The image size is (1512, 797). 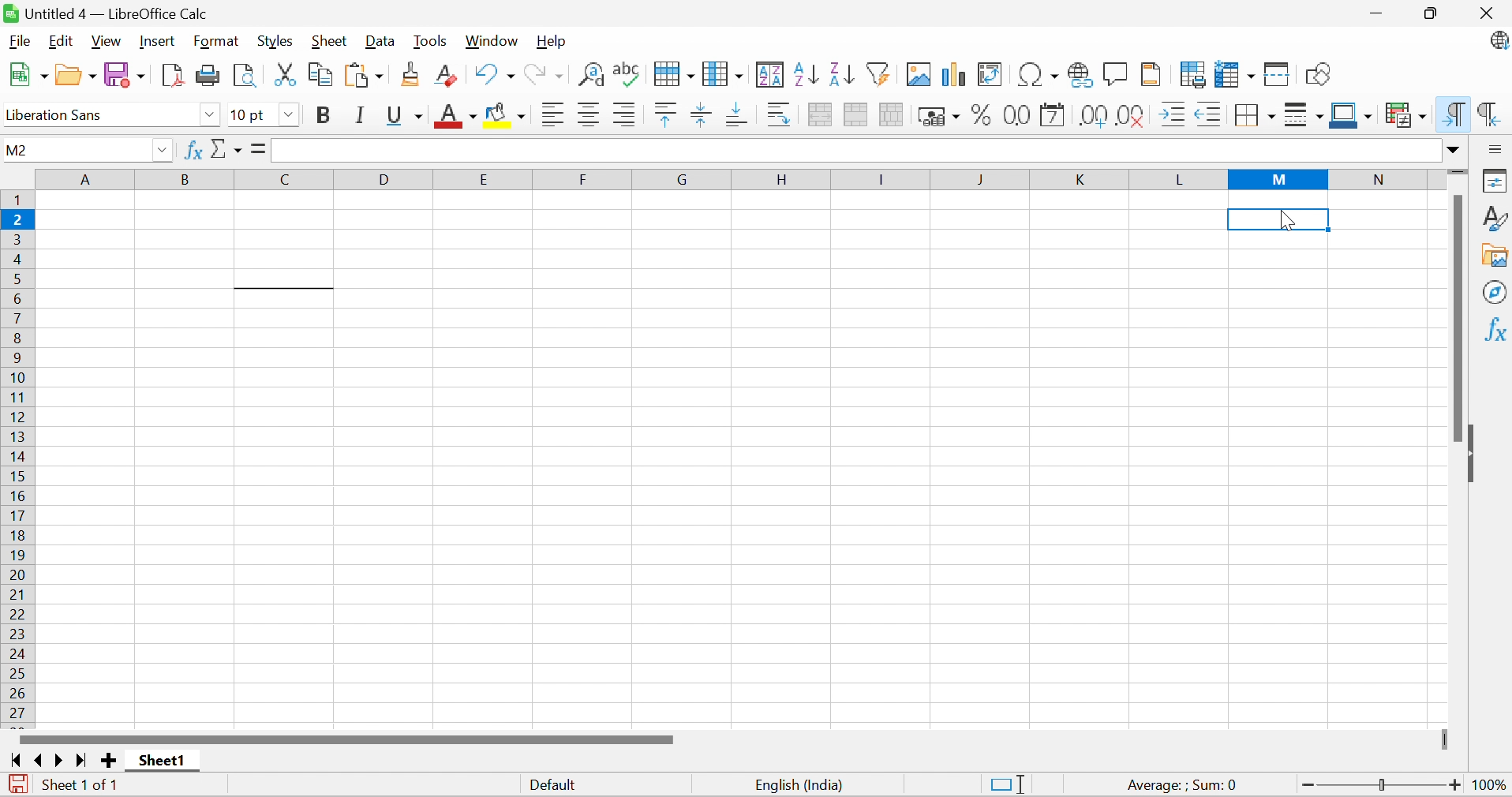 I want to click on Font color, so click(x=458, y=118).